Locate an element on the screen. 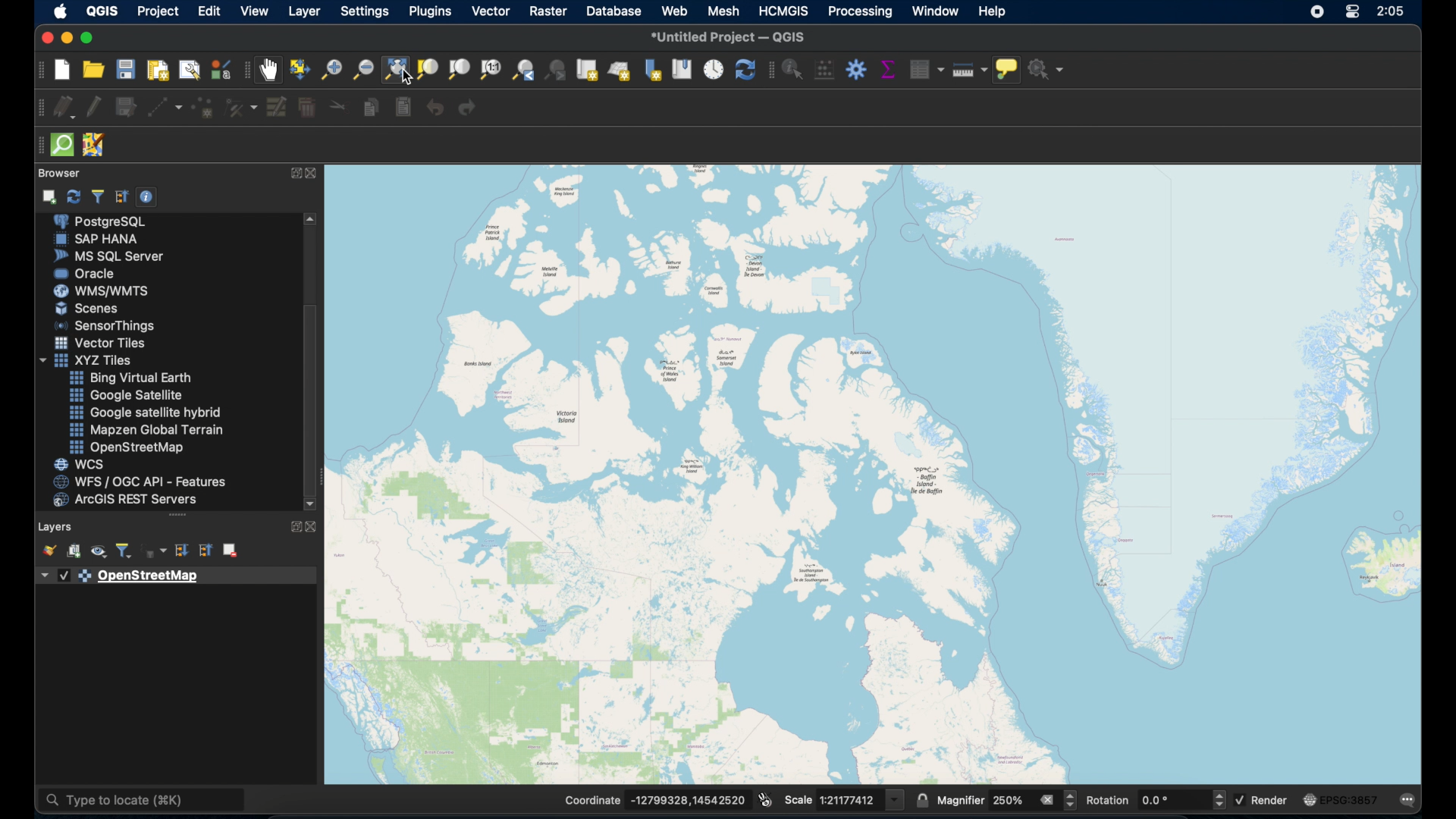 The width and height of the screenshot is (1456, 819). toggle editing is located at coordinates (95, 105).